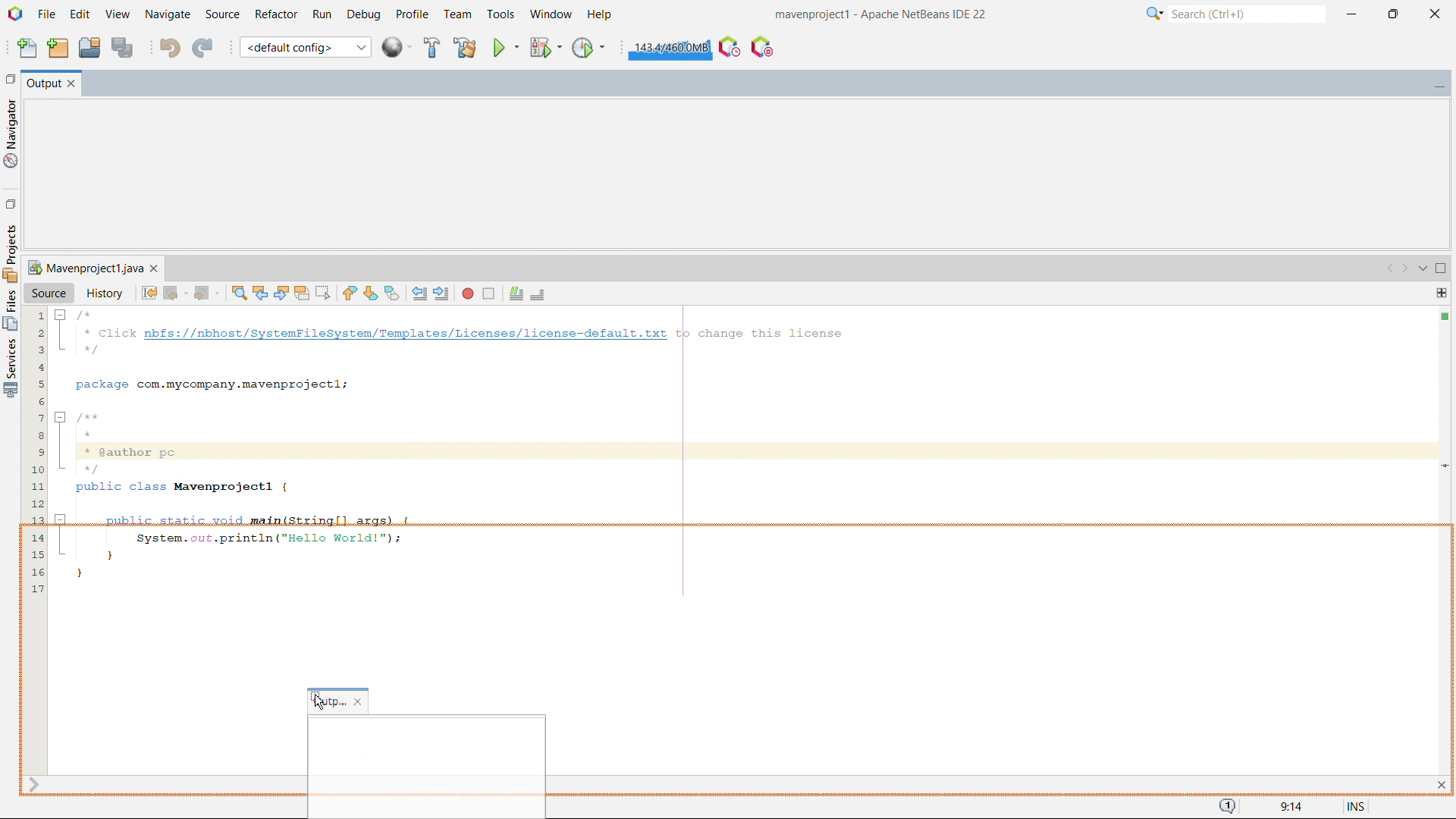 The height and width of the screenshot is (819, 1456). What do you see at coordinates (363, 15) in the screenshot?
I see `debug` at bounding box center [363, 15].